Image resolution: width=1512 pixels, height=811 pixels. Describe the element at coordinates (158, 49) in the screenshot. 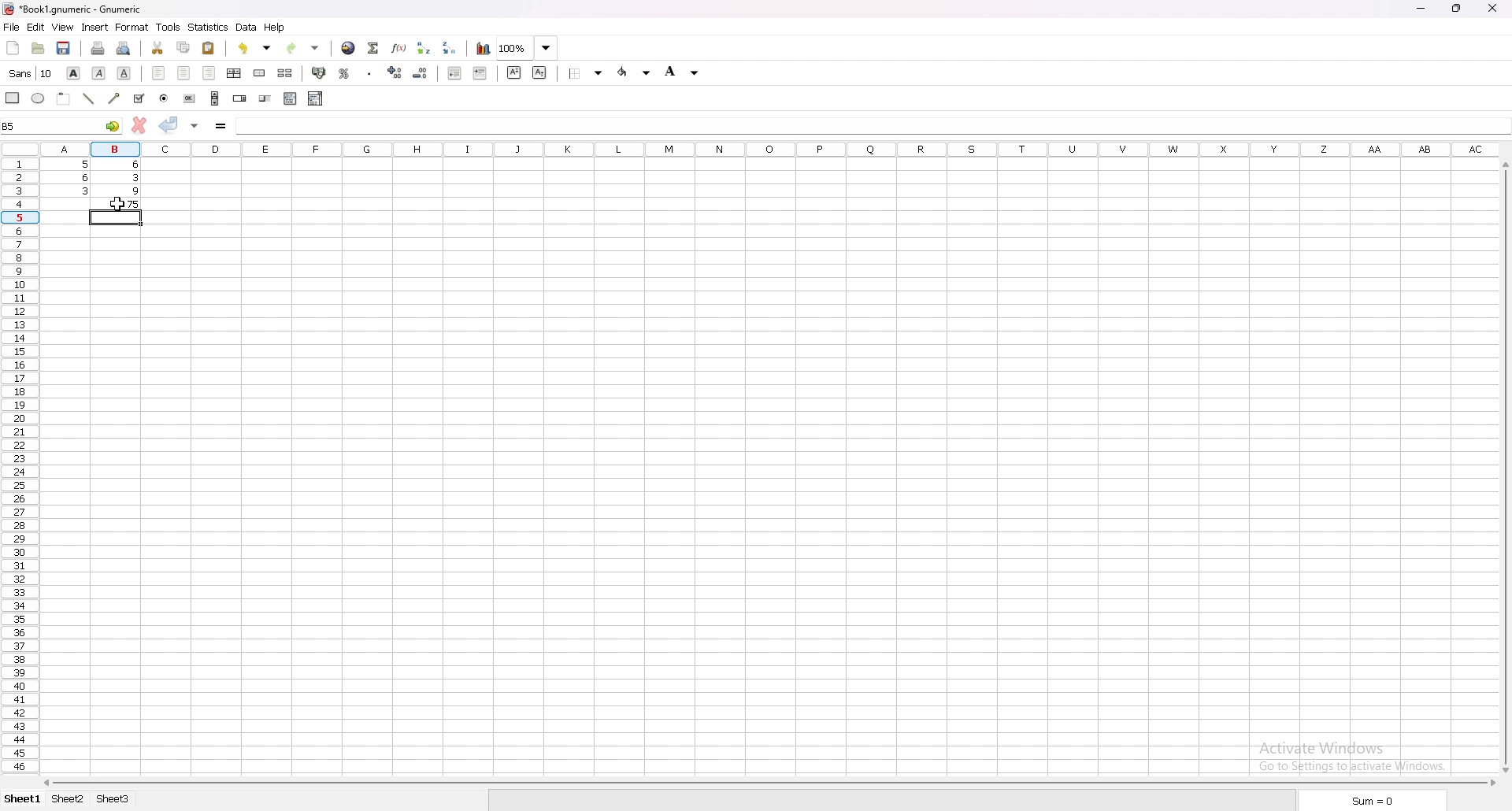

I see `cut` at that location.